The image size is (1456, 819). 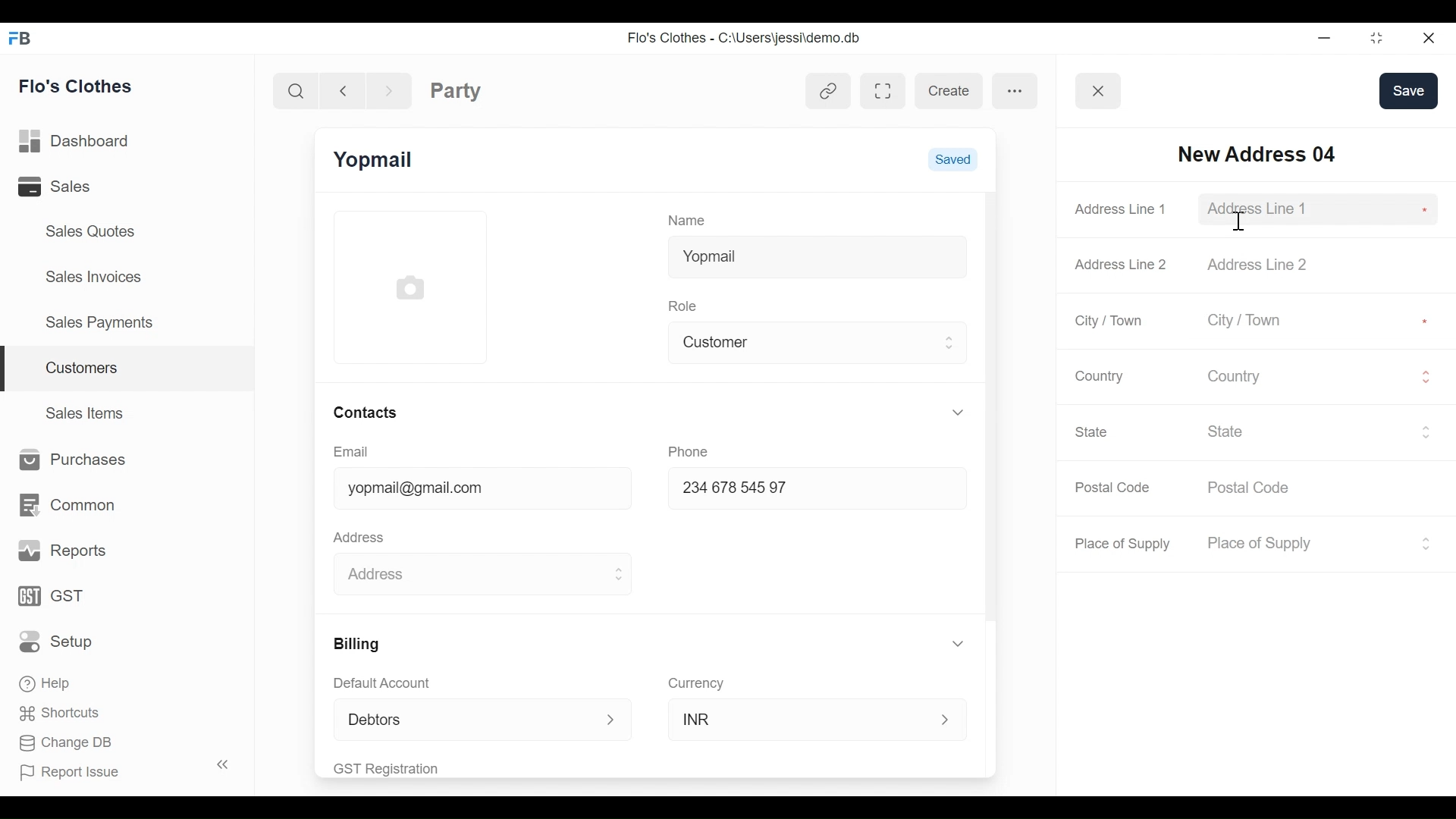 I want to click on Debtors, so click(x=458, y=719).